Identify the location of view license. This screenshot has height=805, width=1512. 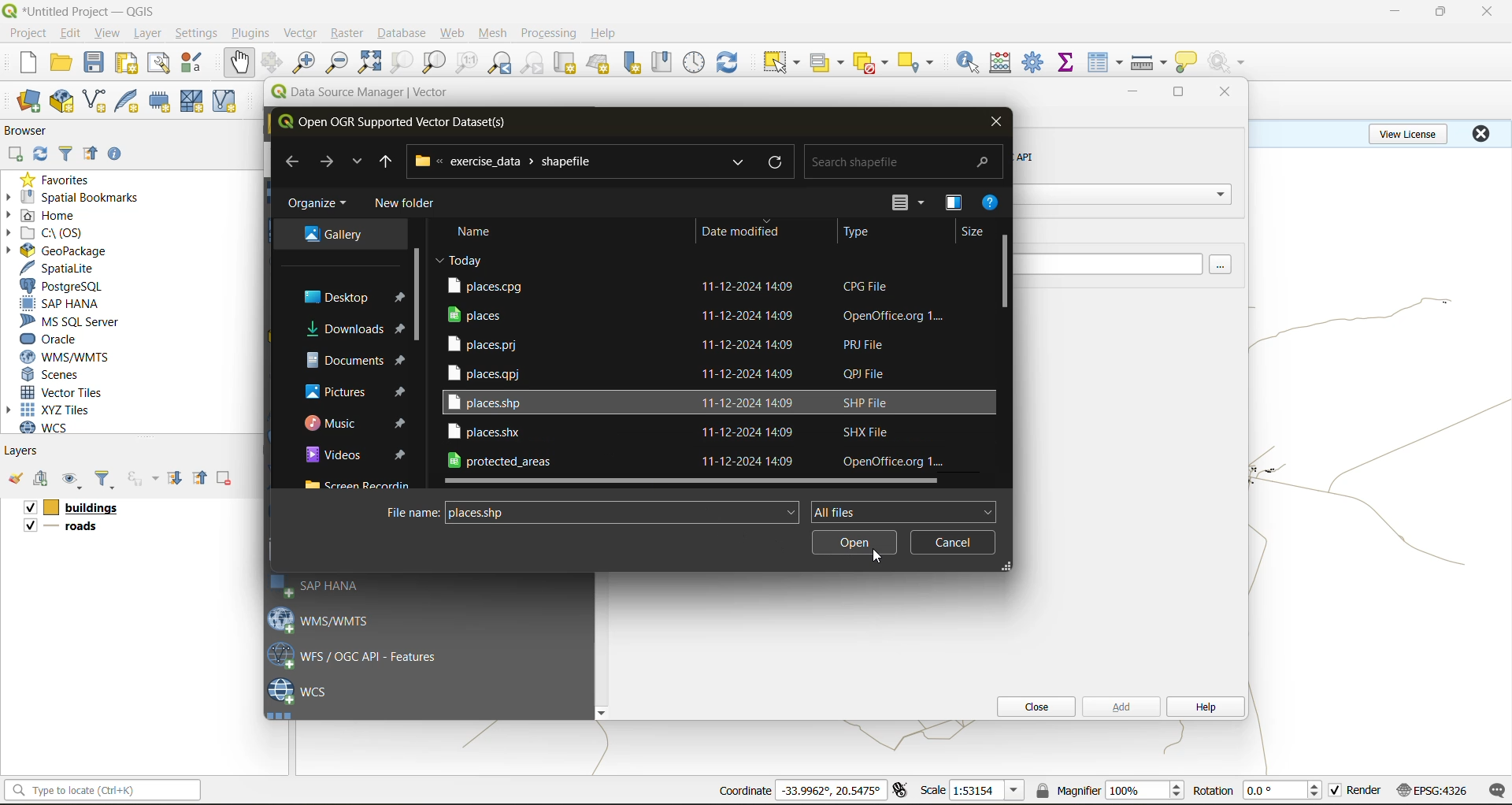
(1411, 132).